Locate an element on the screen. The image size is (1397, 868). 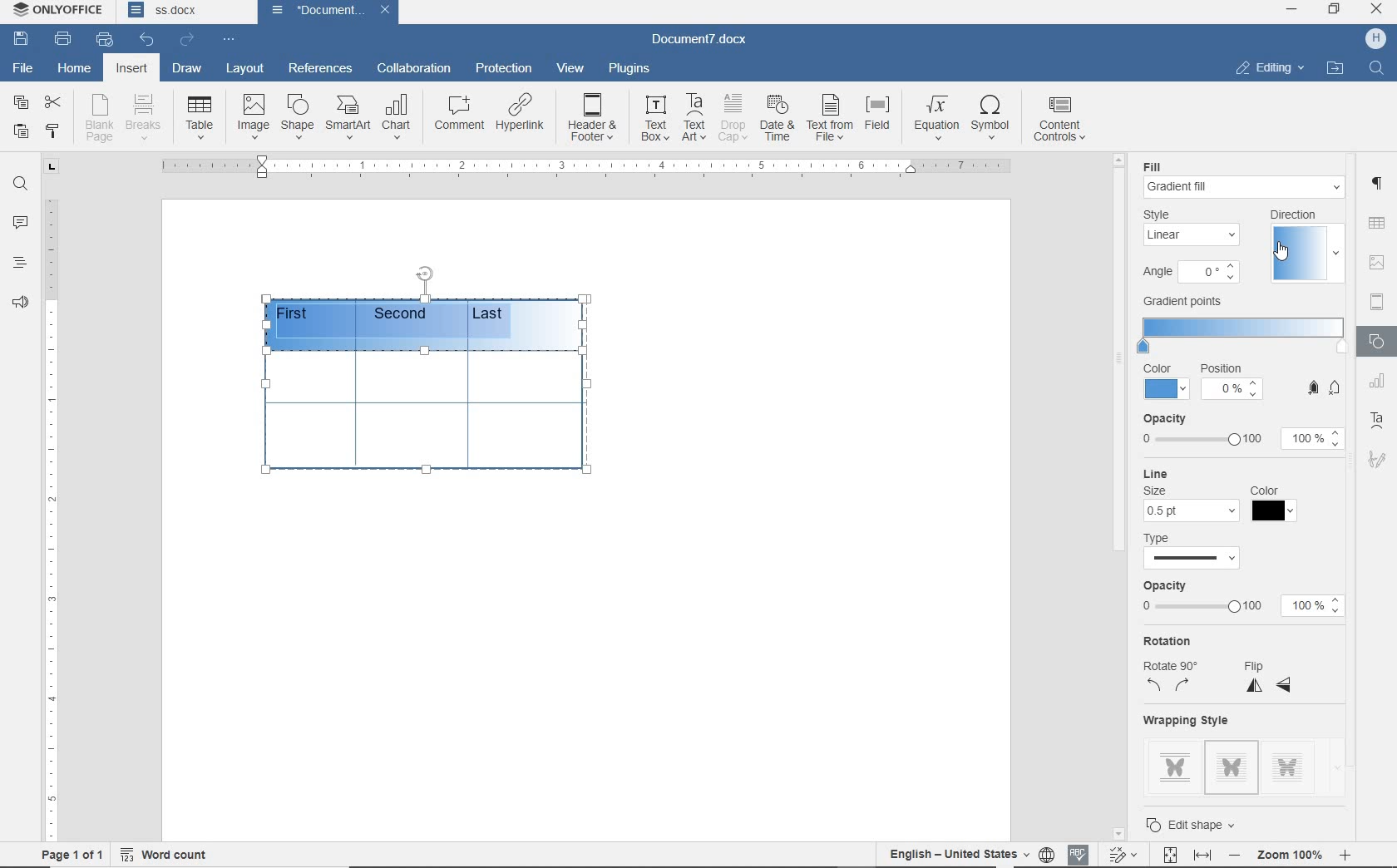
shape settings is located at coordinates (1375, 343).